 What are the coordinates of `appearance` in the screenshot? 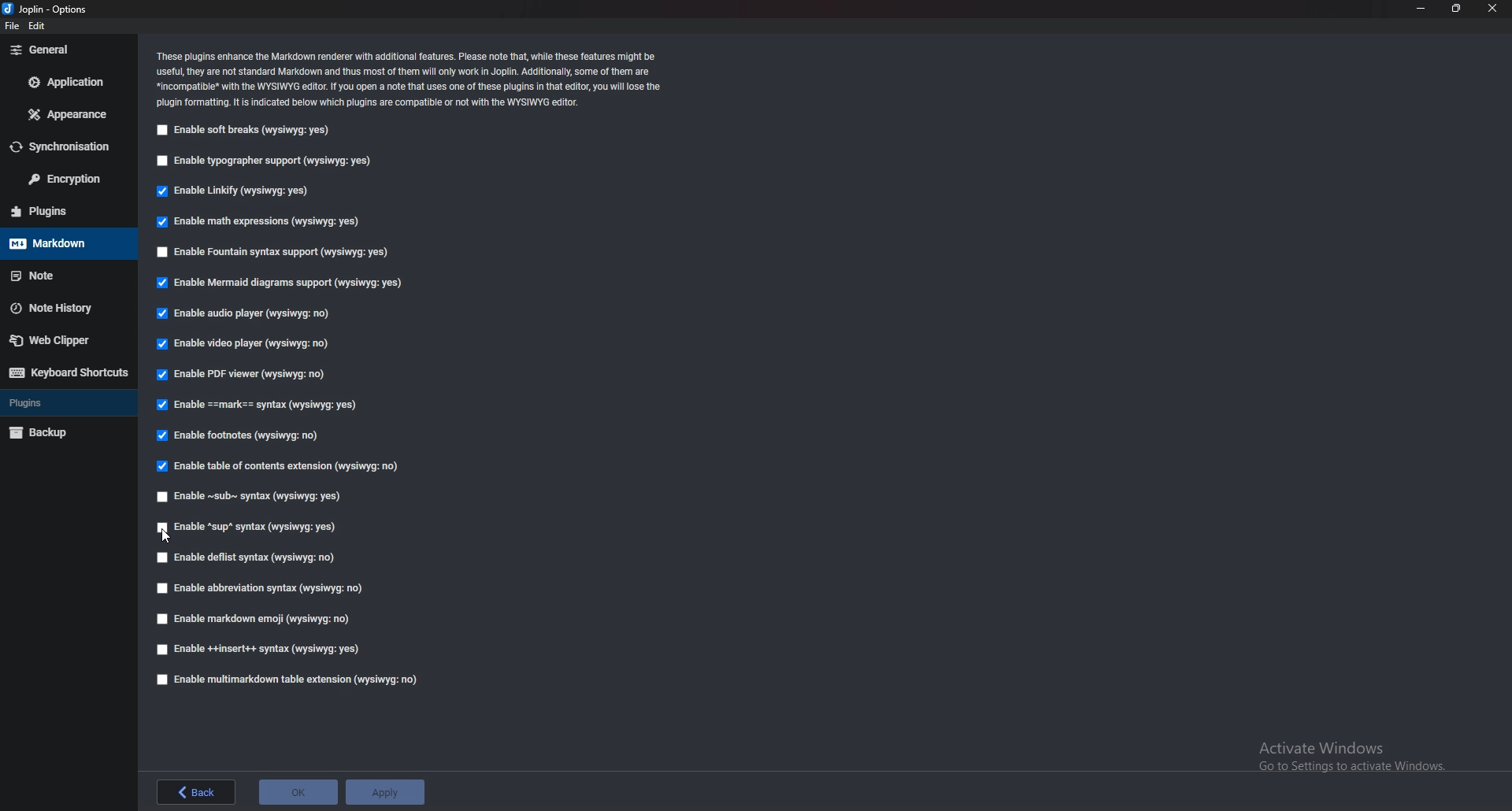 It's located at (64, 114).